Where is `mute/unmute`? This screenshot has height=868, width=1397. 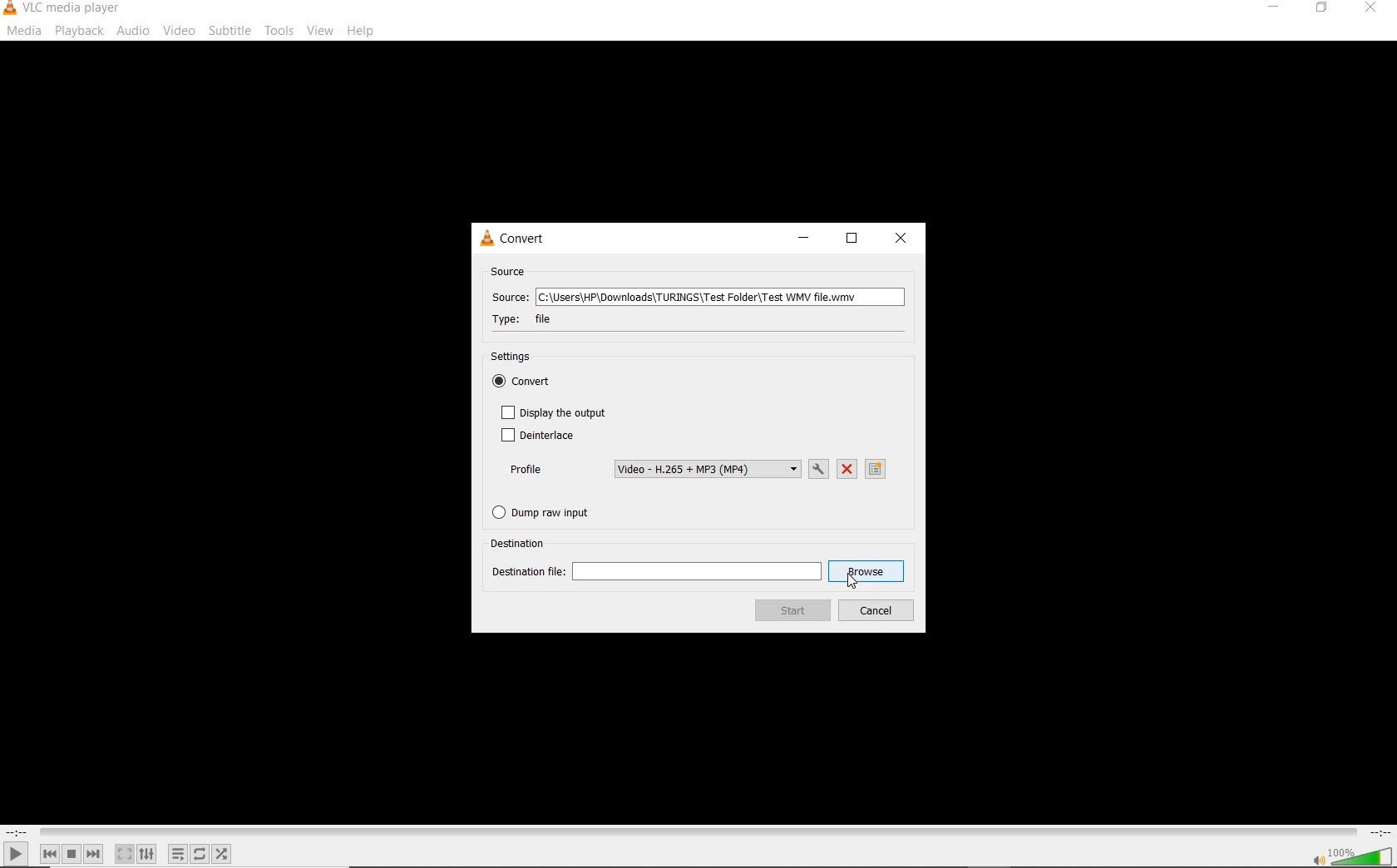 mute/unmute is located at coordinates (1317, 859).